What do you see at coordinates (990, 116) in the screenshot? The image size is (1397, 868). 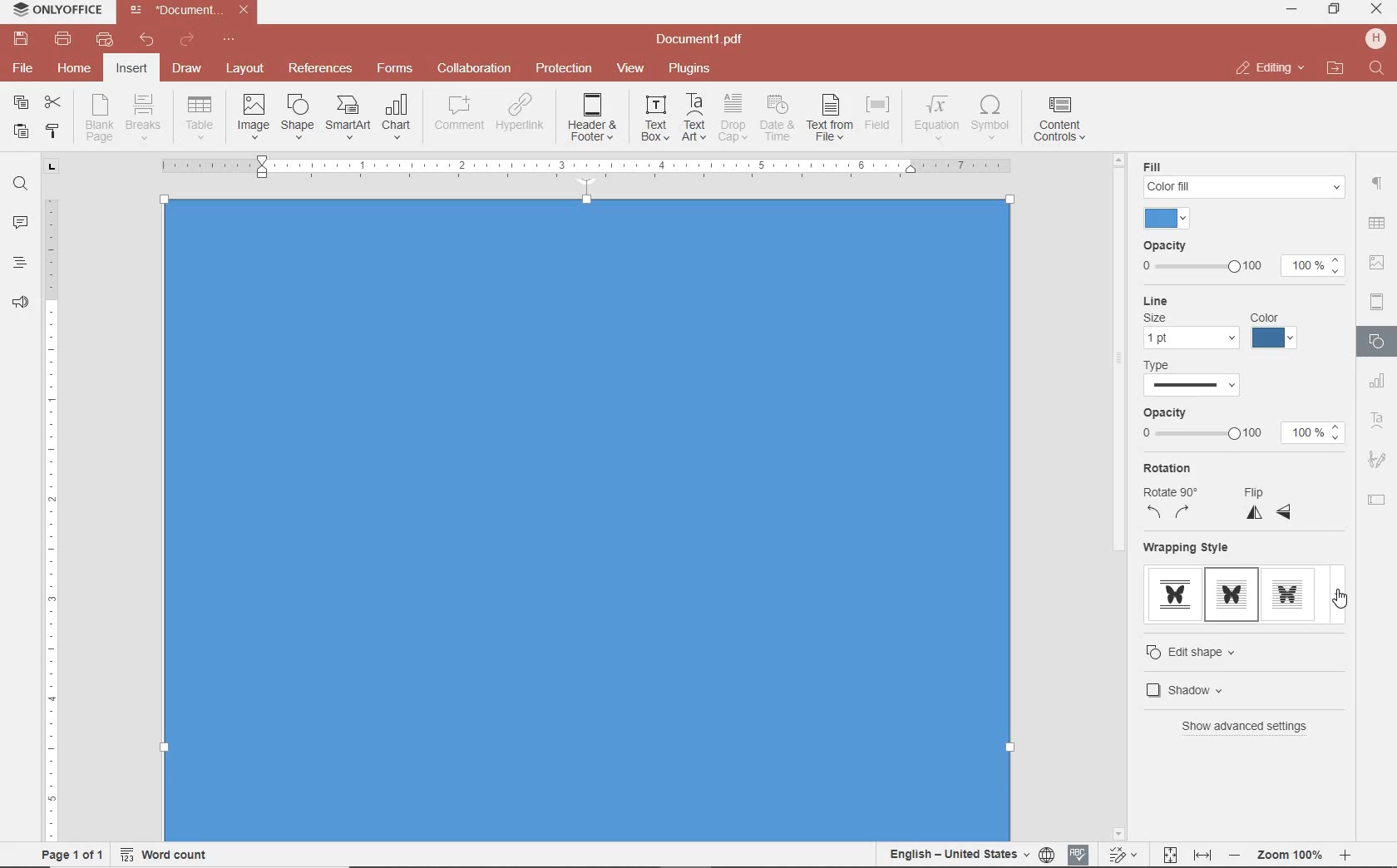 I see `INSERT SYMBOL` at bounding box center [990, 116].